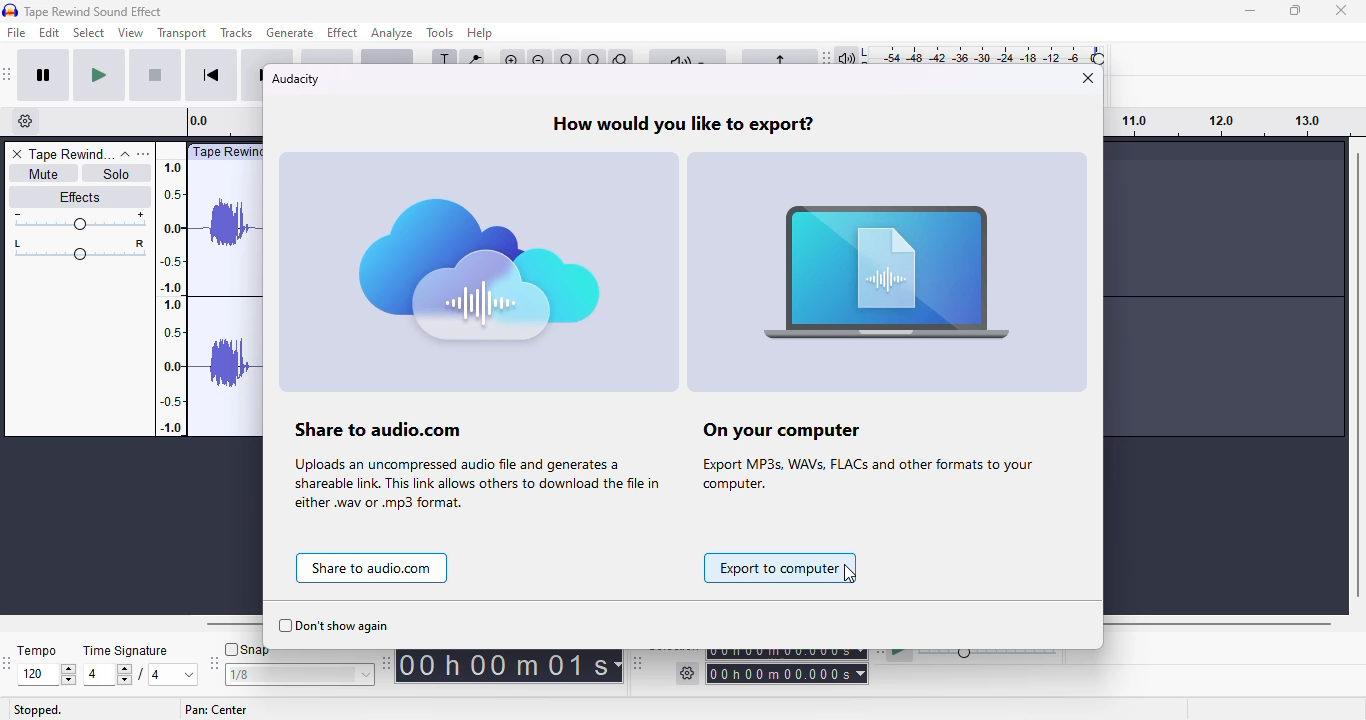  What do you see at coordinates (567, 61) in the screenshot?
I see `fit selection to width` at bounding box center [567, 61].